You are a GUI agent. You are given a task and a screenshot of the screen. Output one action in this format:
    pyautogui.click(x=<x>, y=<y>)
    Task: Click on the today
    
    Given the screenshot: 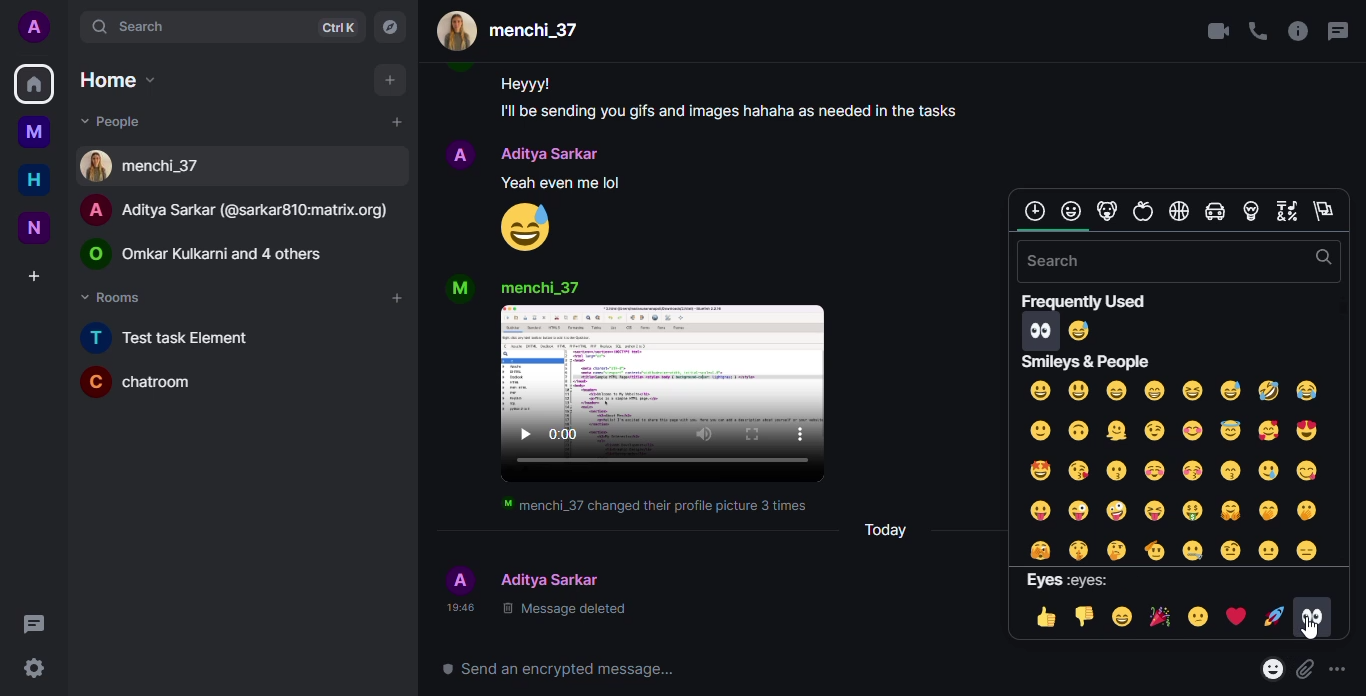 What is the action you would take?
    pyautogui.click(x=886, y=529)
    